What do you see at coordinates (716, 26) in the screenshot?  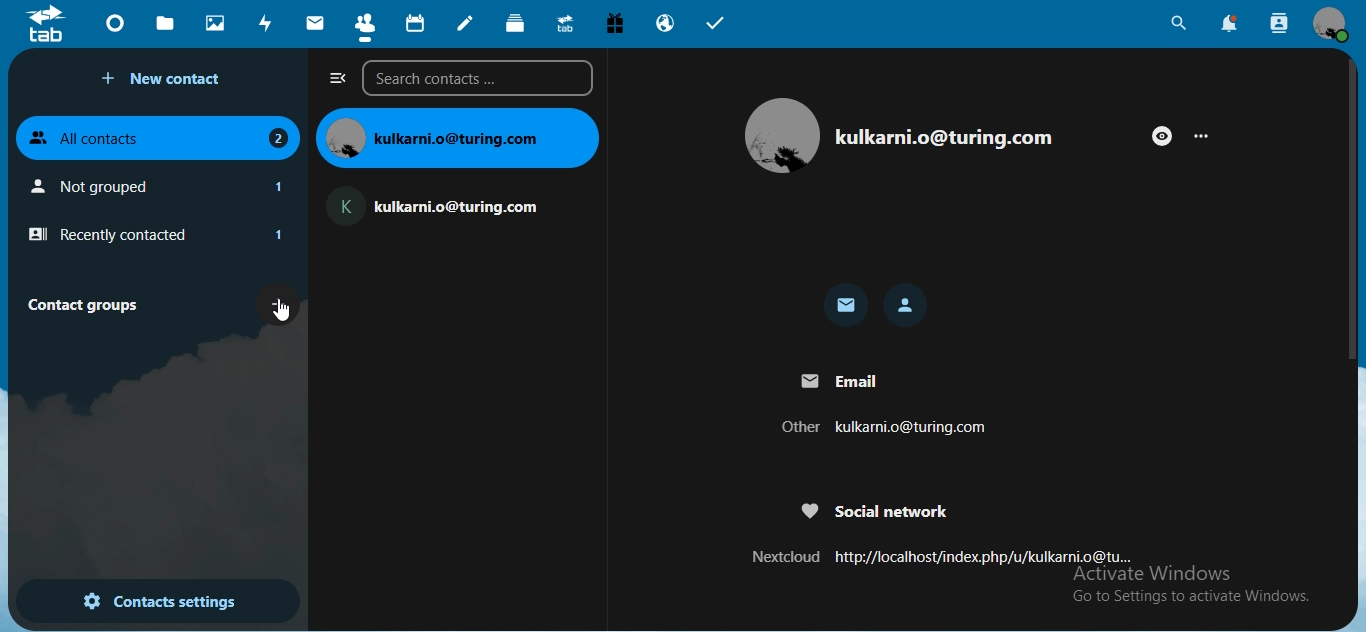 I see `tasks` at bounding box center [716, 26].